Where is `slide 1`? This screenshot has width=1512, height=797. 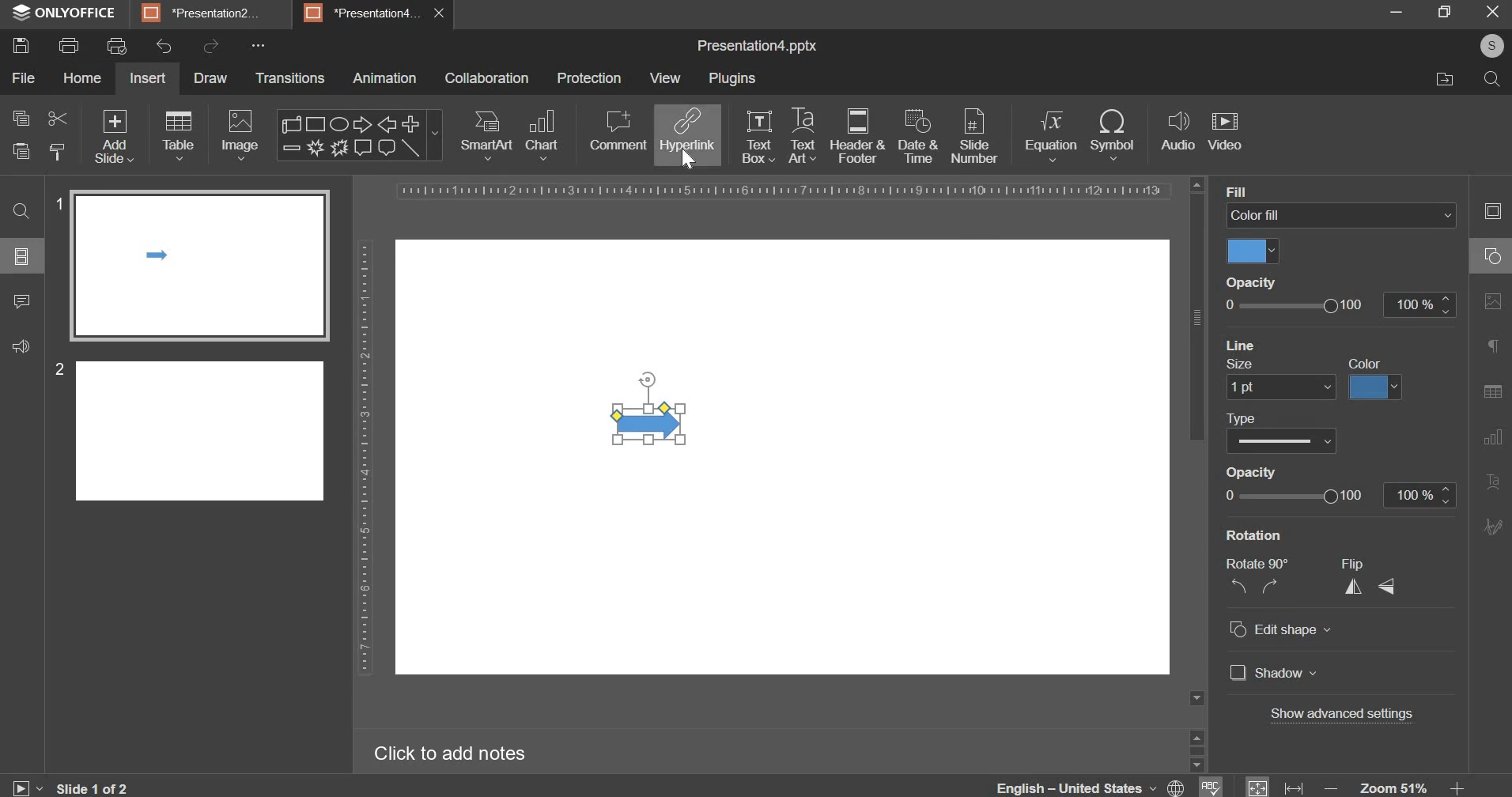 slide 1 is located at coordinates (191, 262).